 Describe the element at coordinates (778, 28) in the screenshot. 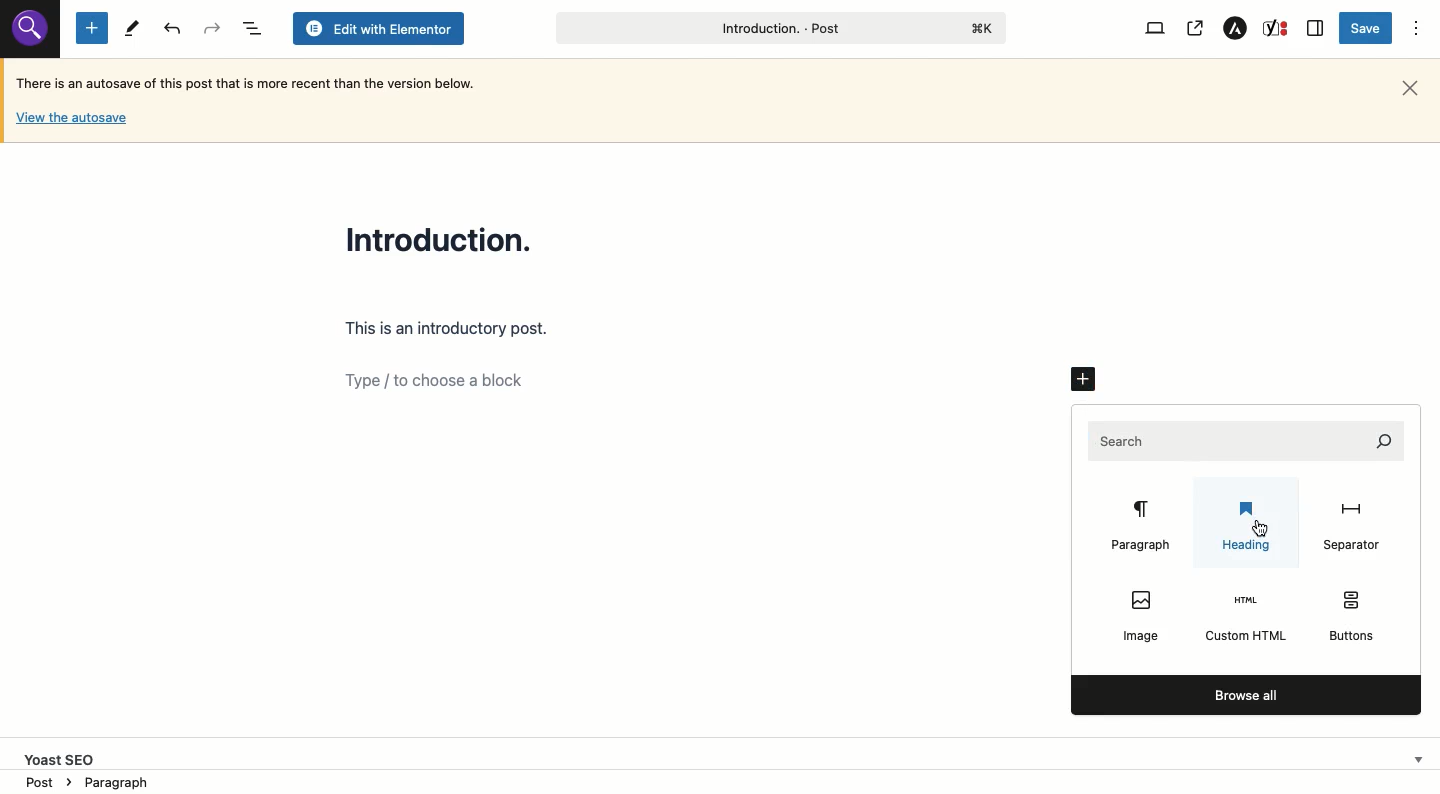

I see `Post` at that location.